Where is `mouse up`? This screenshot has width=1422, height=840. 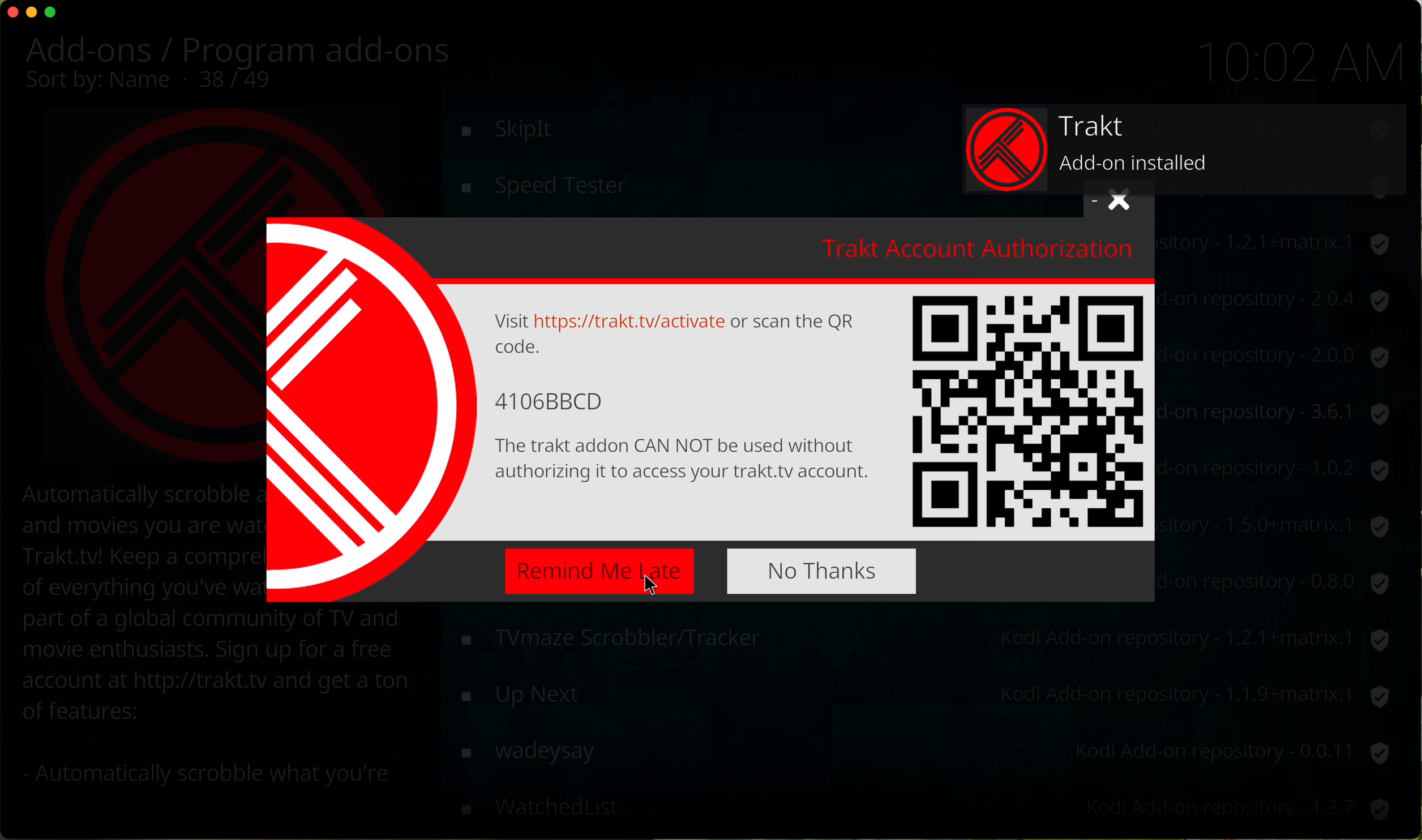 mouse up is located at coordinates (1412, 738).